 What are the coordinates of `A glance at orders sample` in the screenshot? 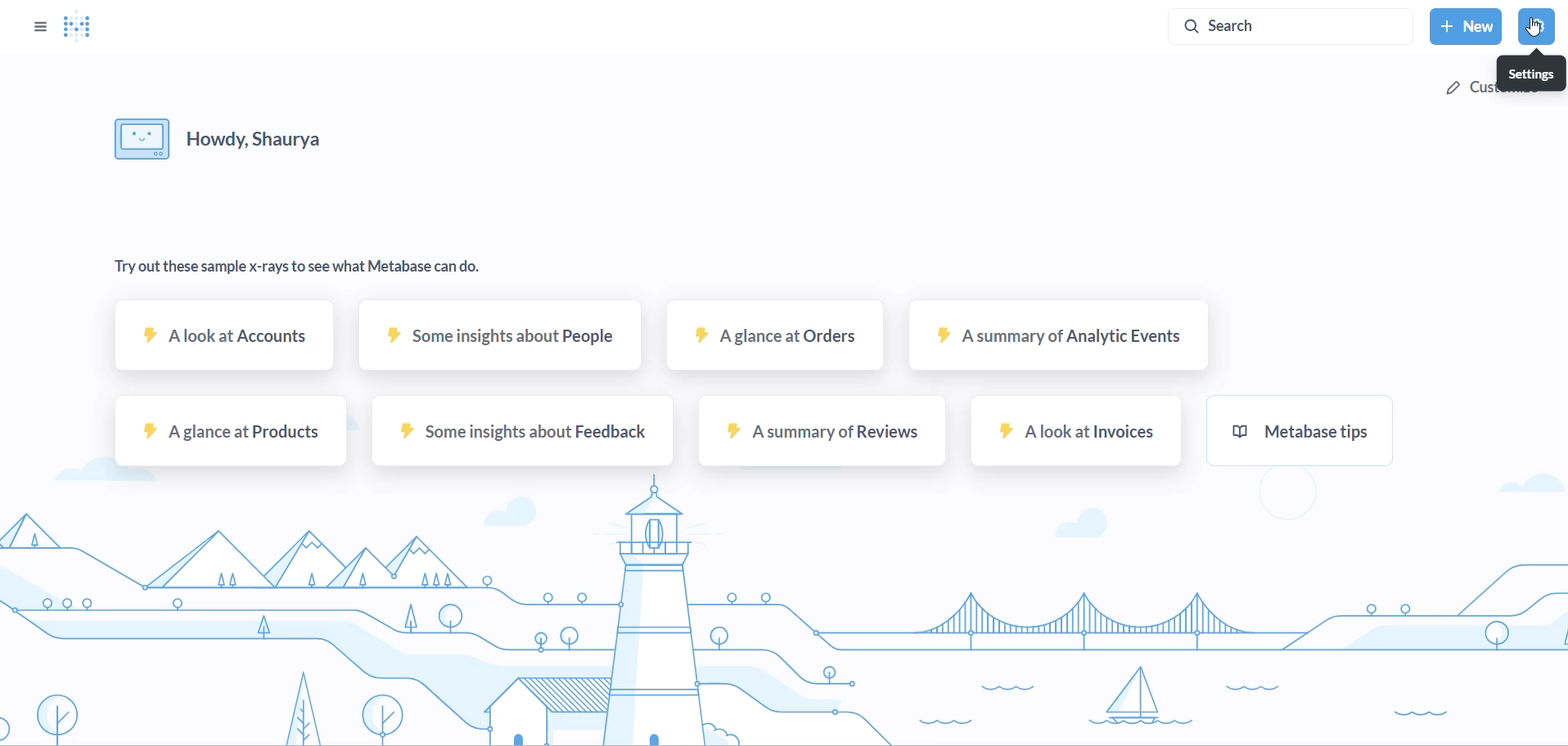 It's located at (766, 339).